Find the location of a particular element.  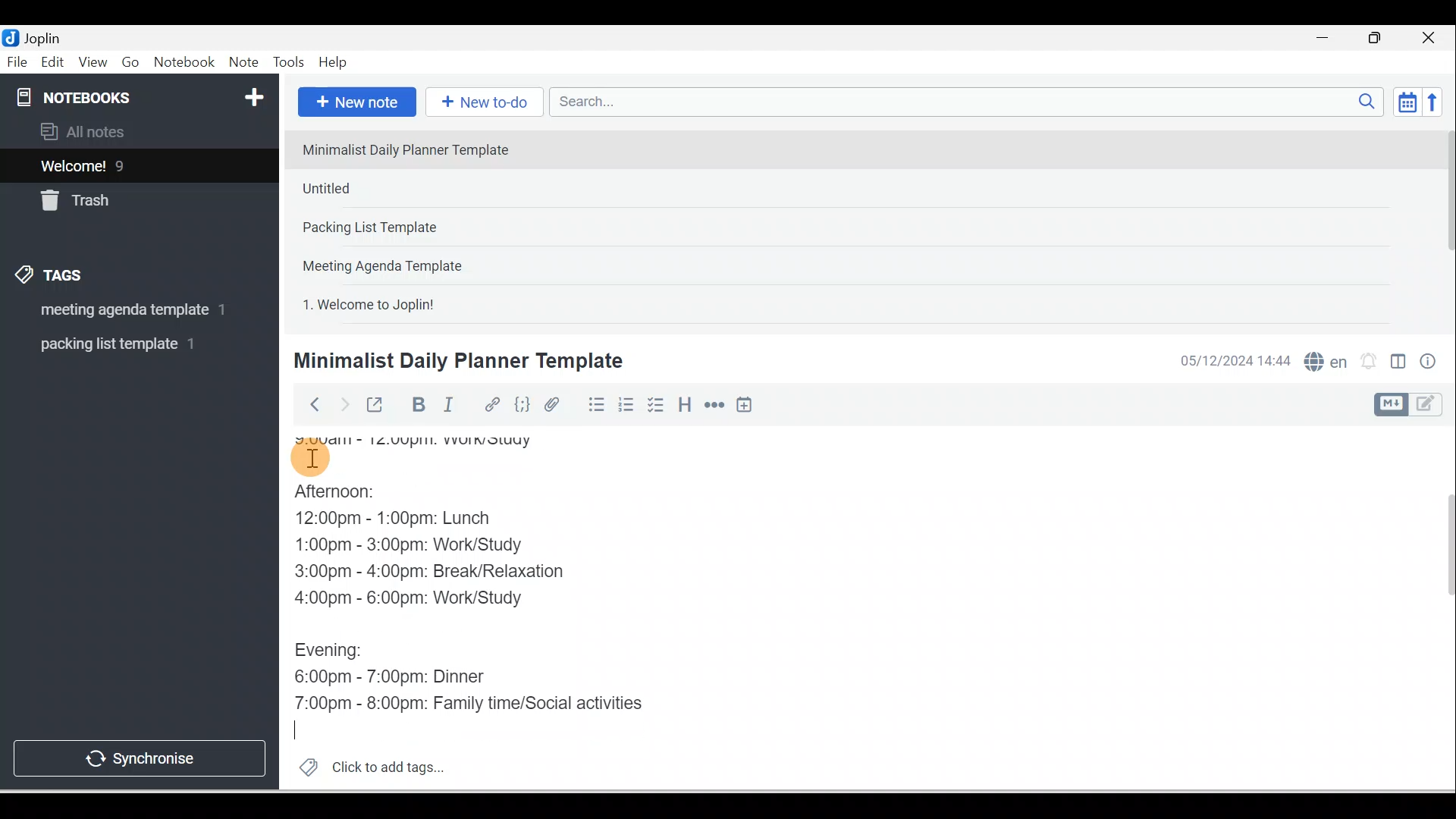

3:00pm - 4:00pm: Break/Relaxation is located at coordinates (462, 573).